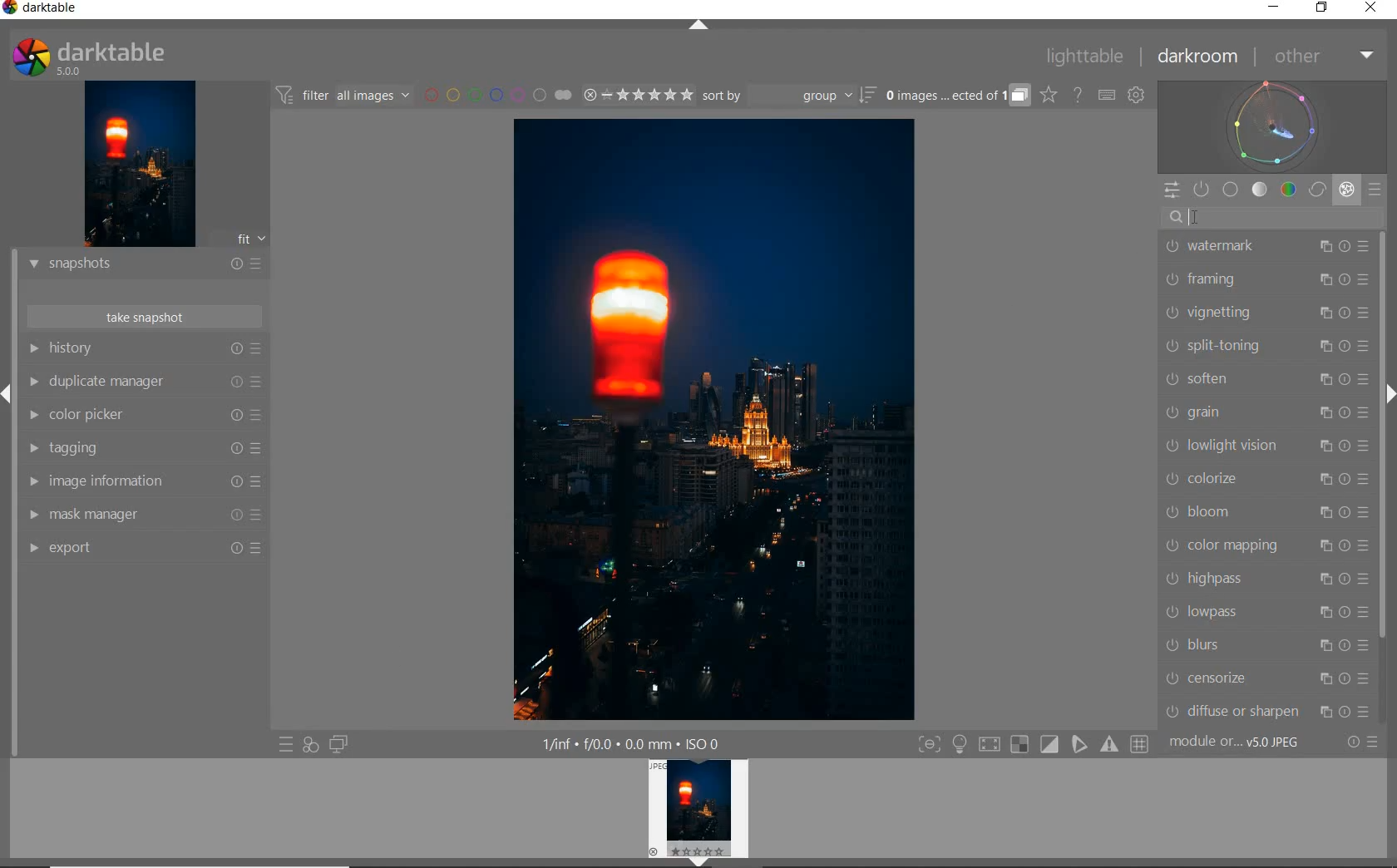 The image size is (1397, 868). I want to click on Preset and reset, so click(1363, 611).